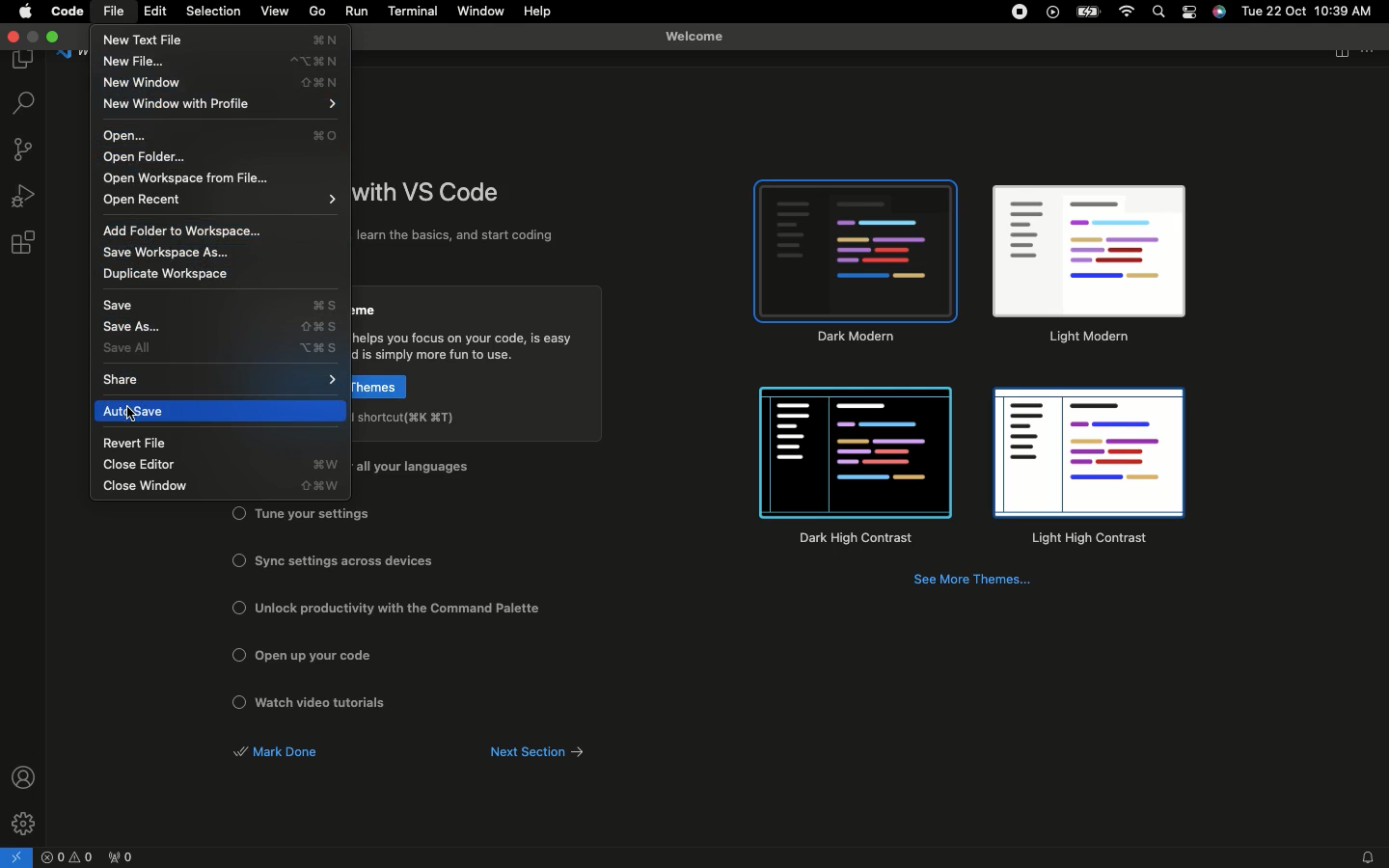  What do you see at coordinates (539, 12) in the screenshot?
I see `Help` at bounding box center [539, 12].